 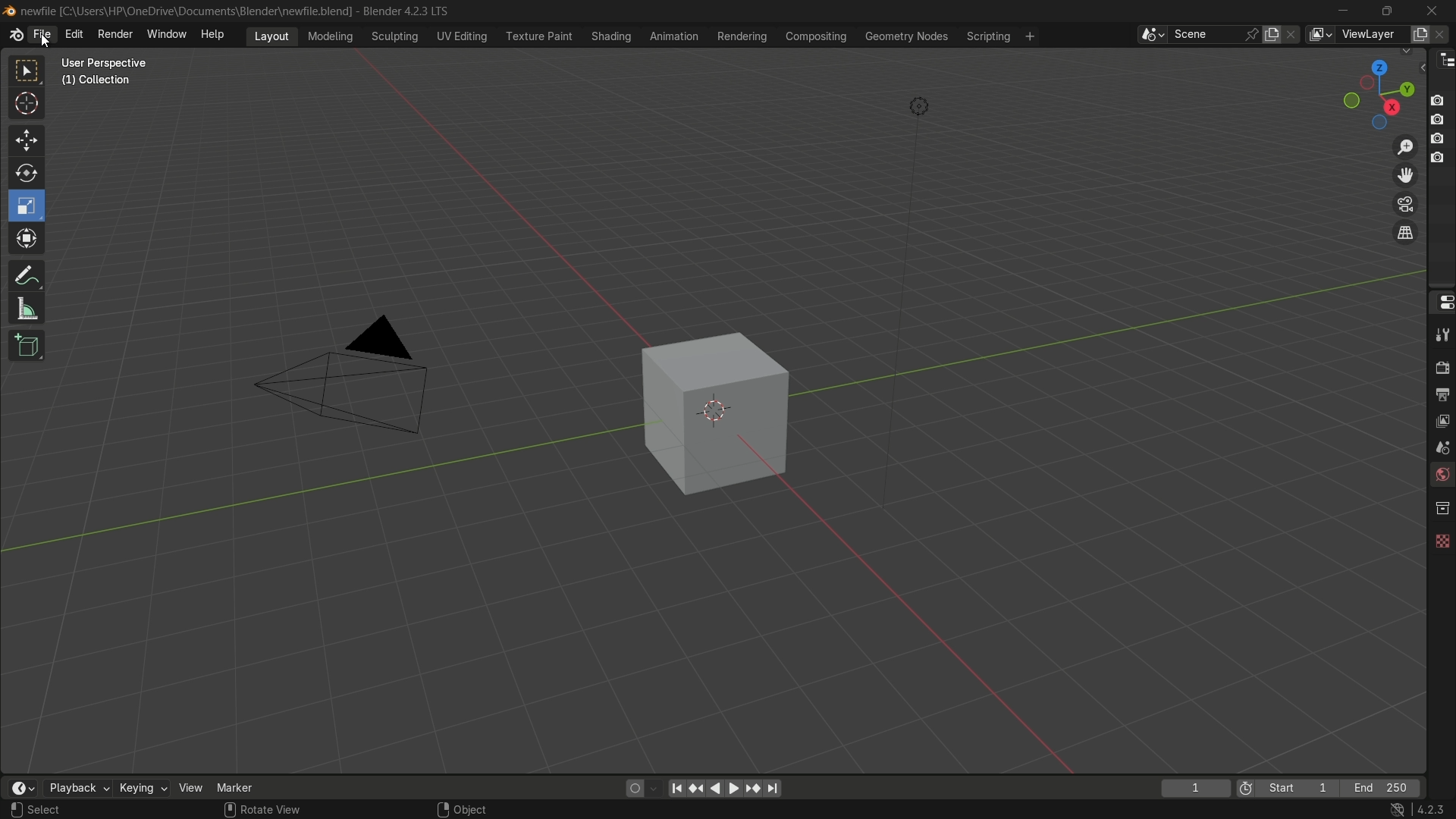 I want to click on jump to keyframe, so click(x=697, y=786).